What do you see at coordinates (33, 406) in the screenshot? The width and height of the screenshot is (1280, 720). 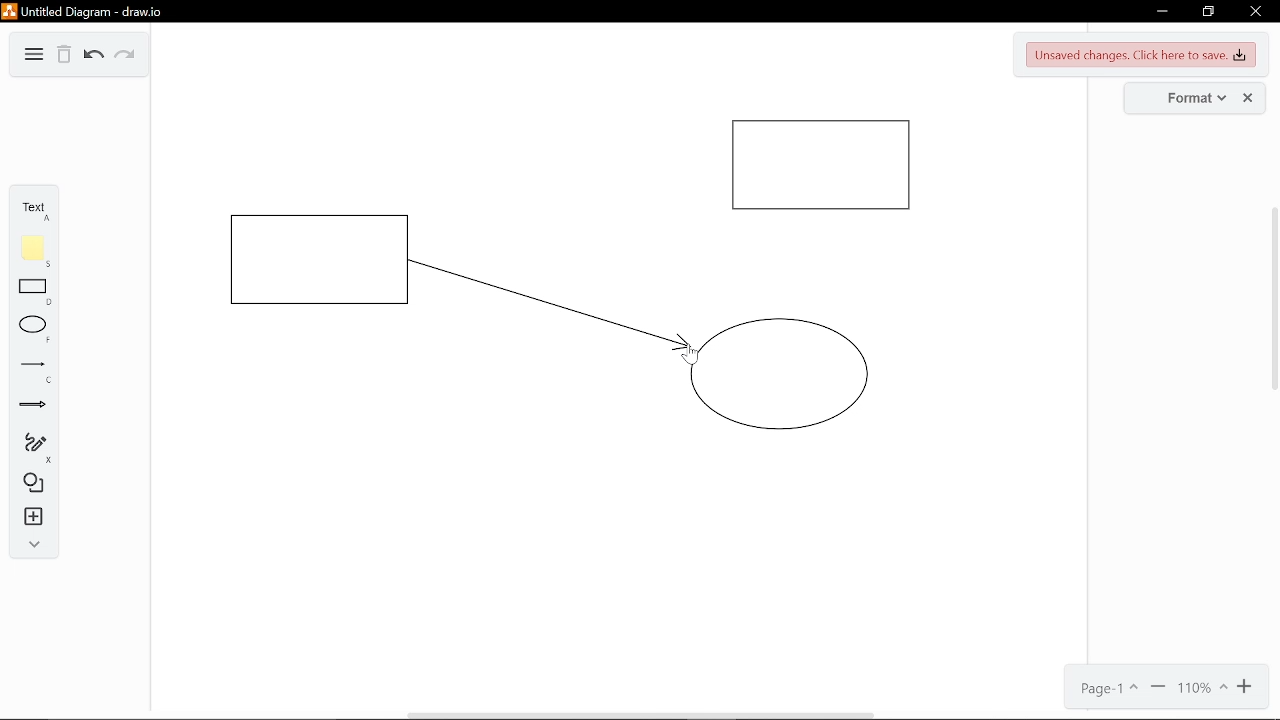 I see `Arrow` at bounding box center [33, 406].